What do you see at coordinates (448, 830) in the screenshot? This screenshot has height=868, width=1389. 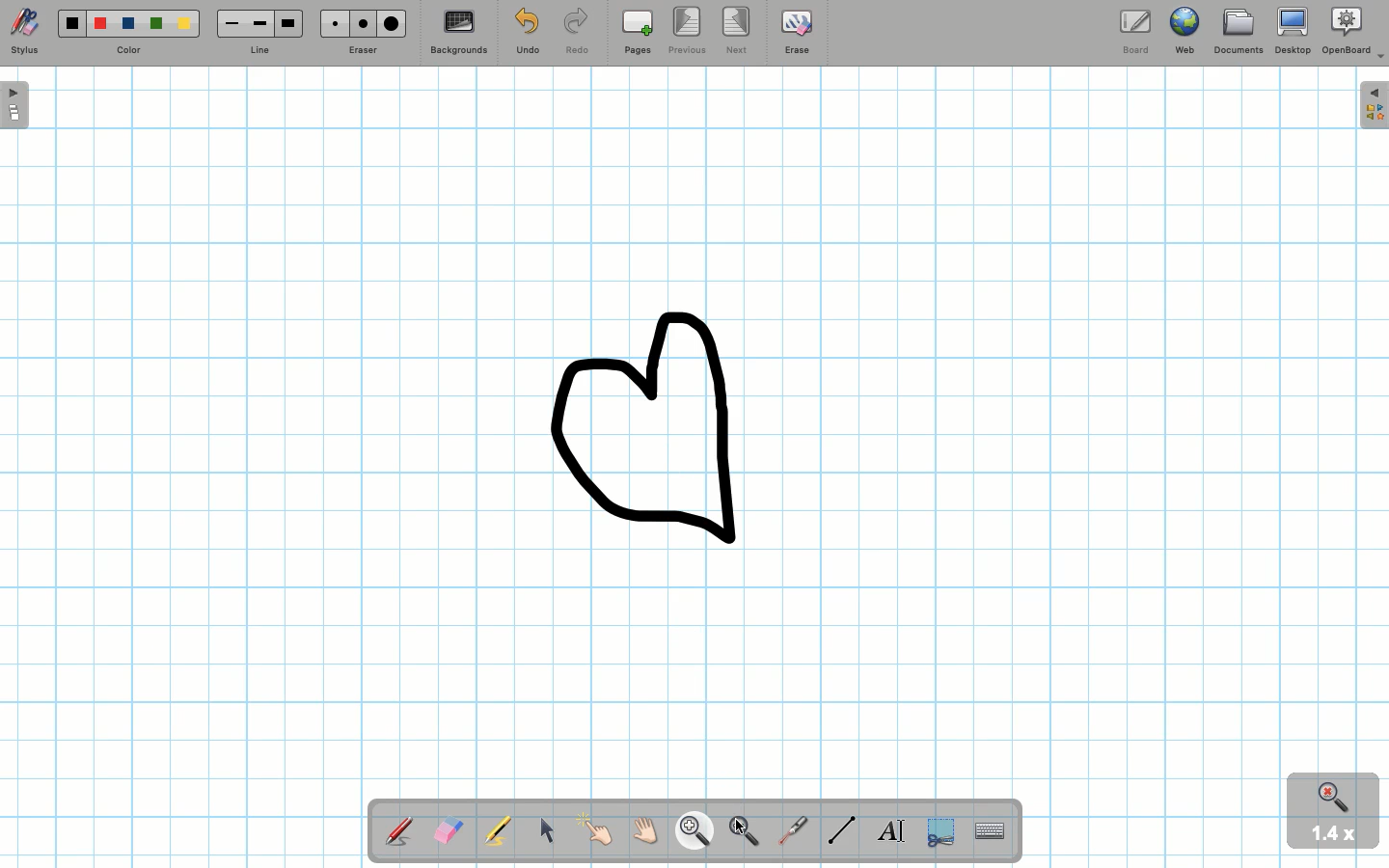 I see `Eraser` at bounding box center [448, 830].